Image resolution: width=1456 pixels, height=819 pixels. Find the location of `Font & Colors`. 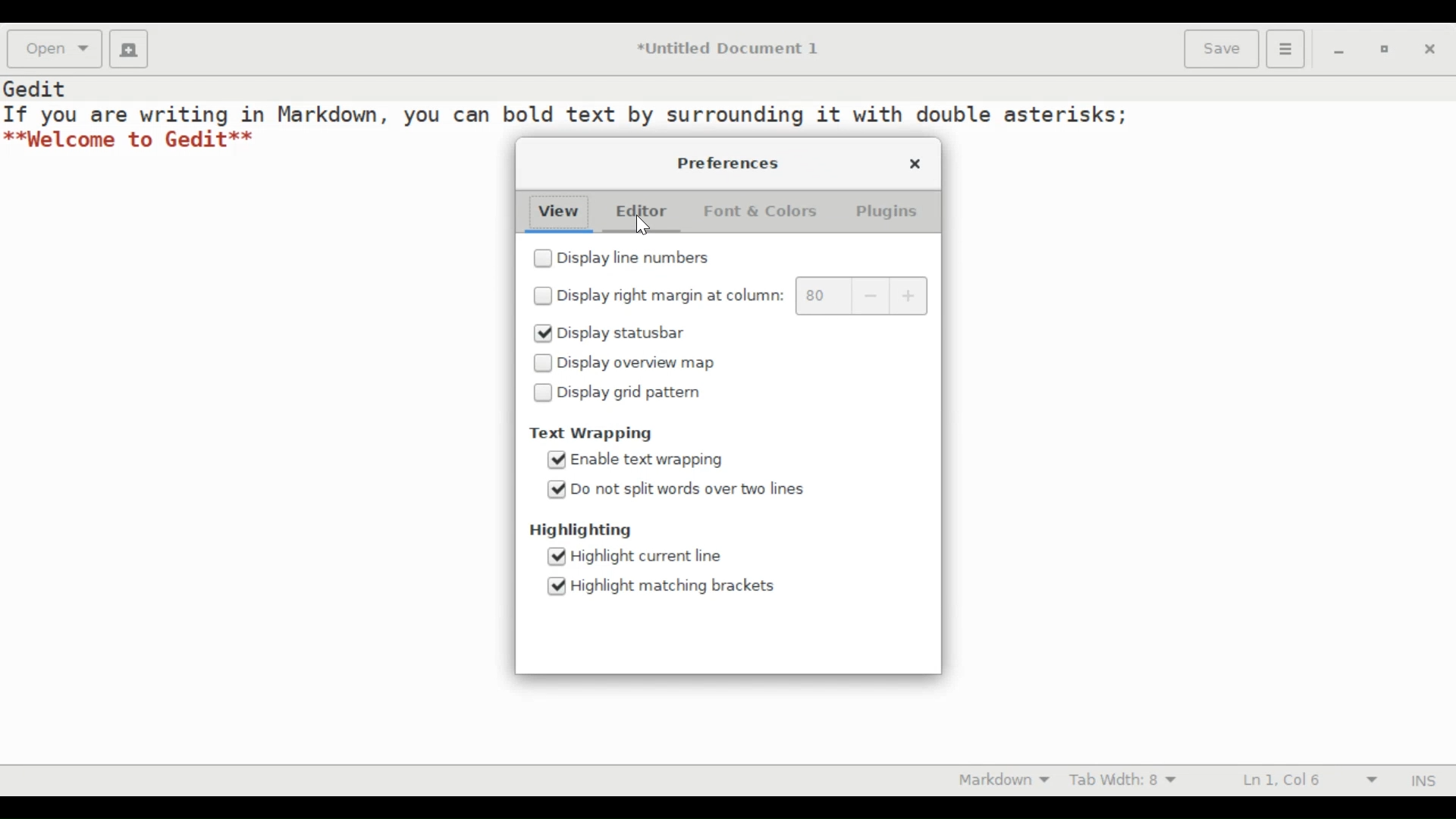

Font & Colors is located at coordinates (758, 210).